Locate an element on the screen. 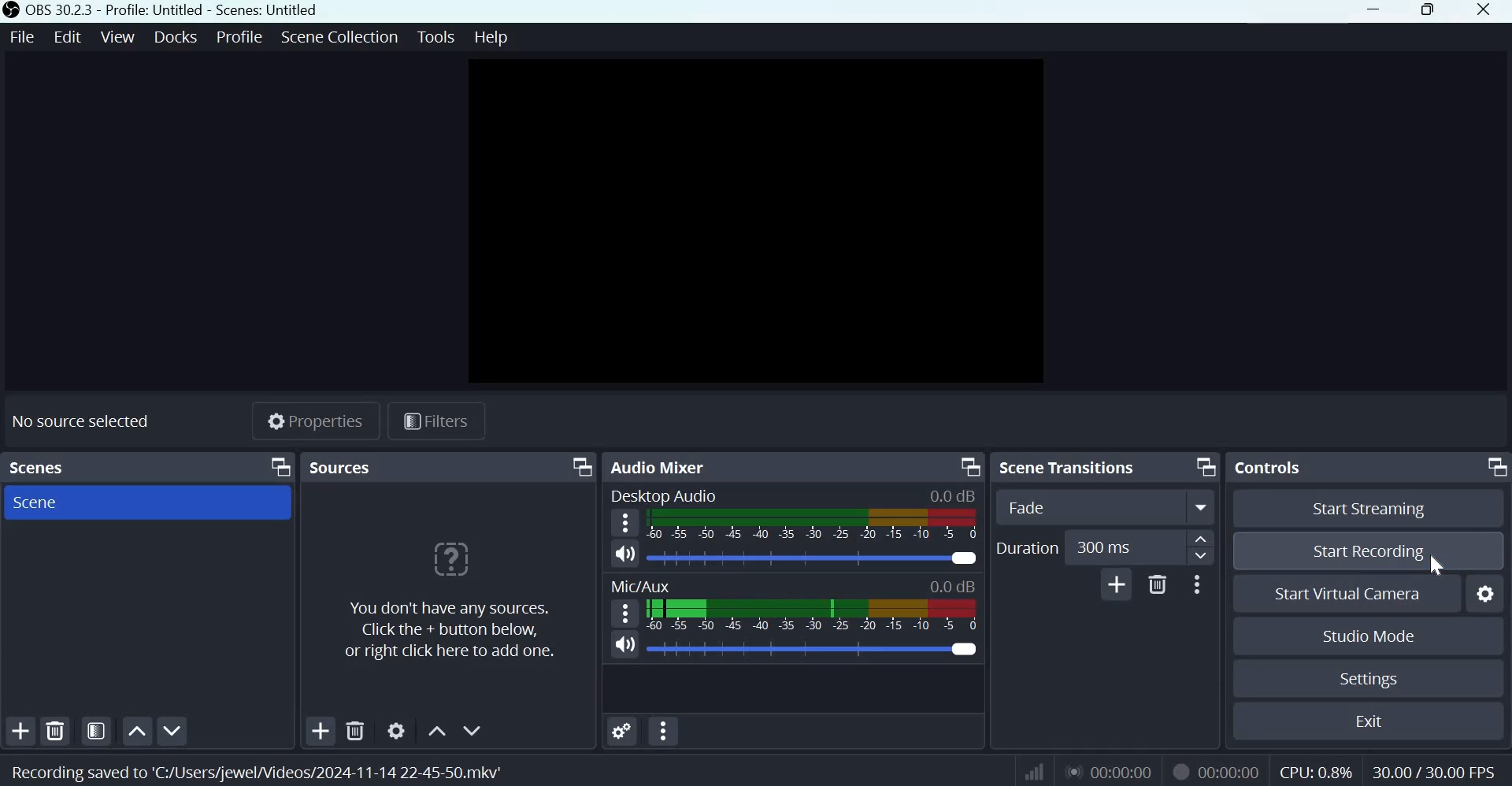 This screenshot has height=786, width=1512. Volume Meter is located at coordinates (814, 615).